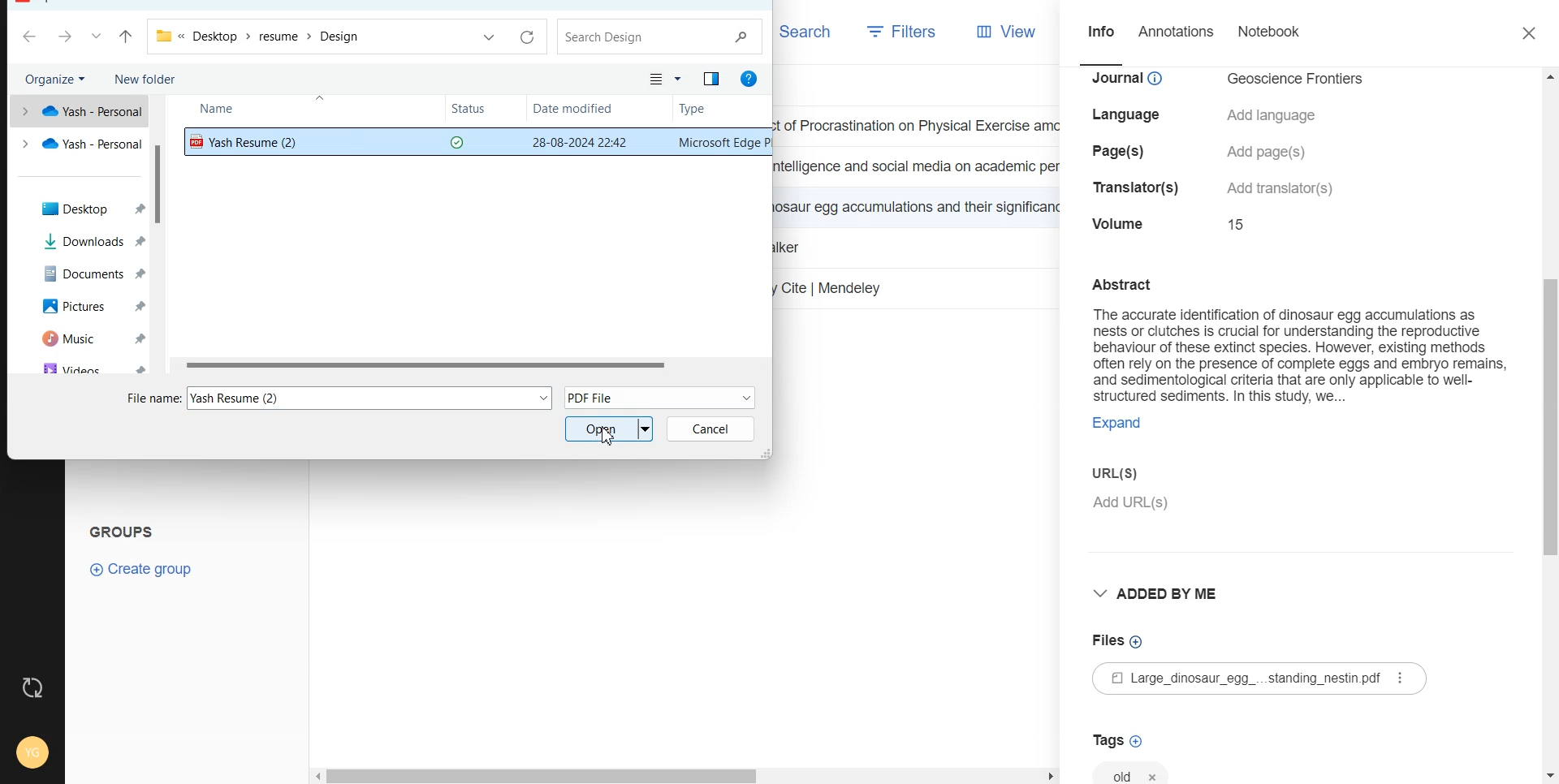 This screenshot has width=1559, height=784. Describe the element at coordinates (1116, 741) in the screenshot. I see `Add Tag` at that location.